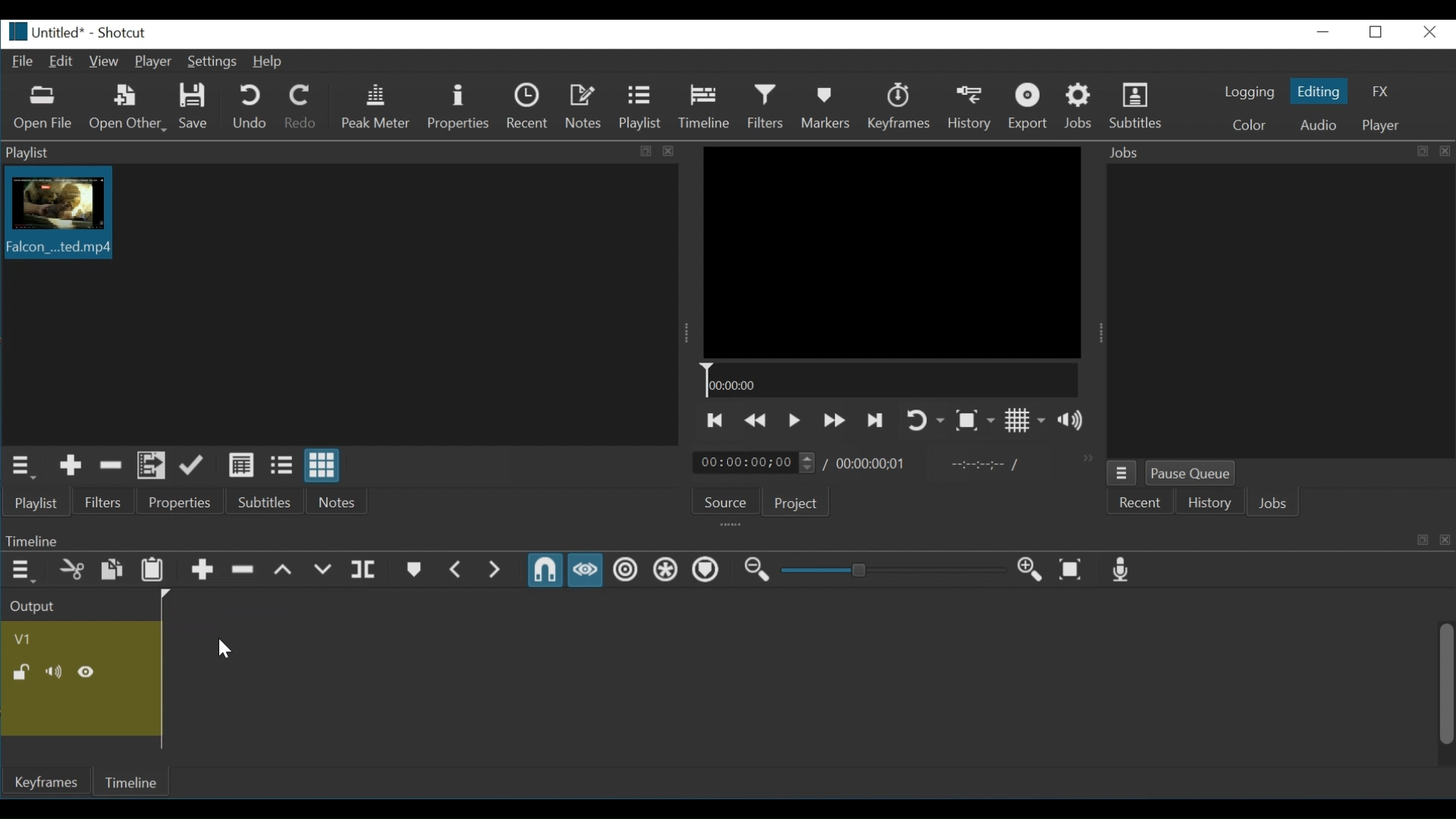 The height and width of the screenshot is (819, 1456). I want to click on Add files to the playlist, so click(149, 466).